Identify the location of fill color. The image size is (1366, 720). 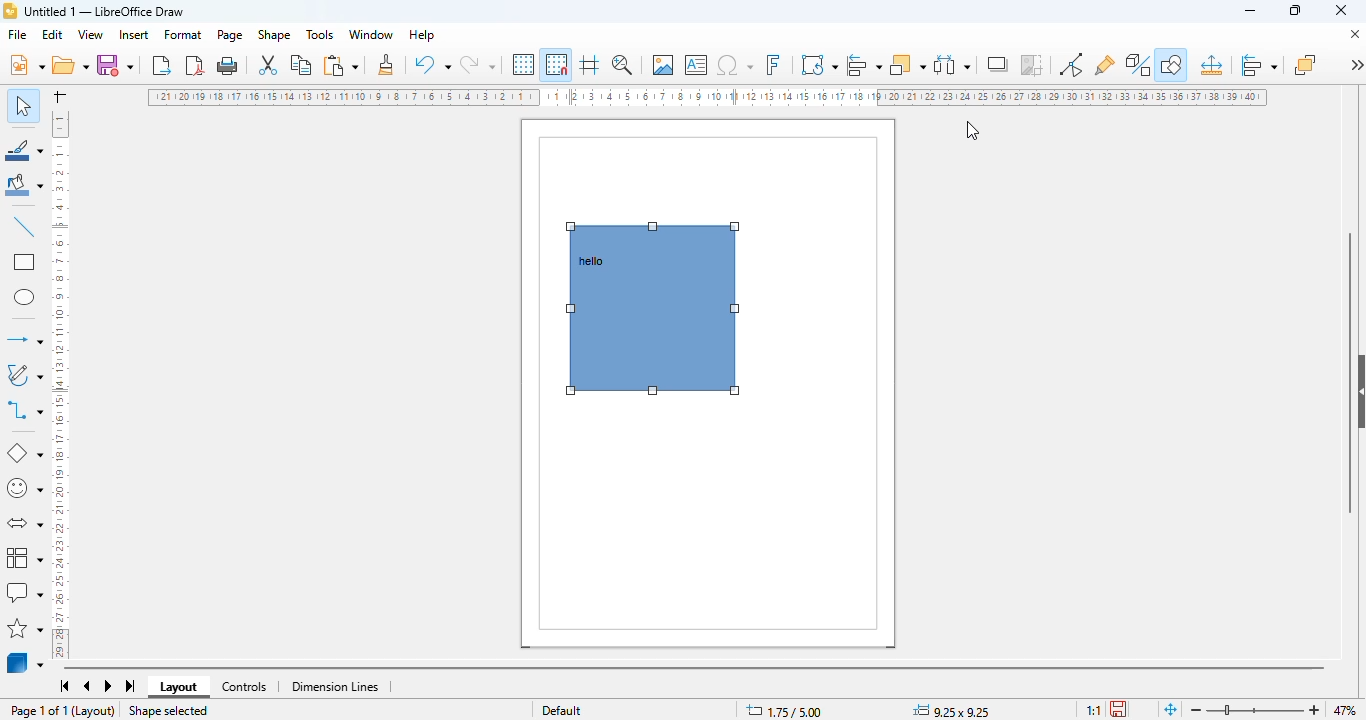
(25, 185).